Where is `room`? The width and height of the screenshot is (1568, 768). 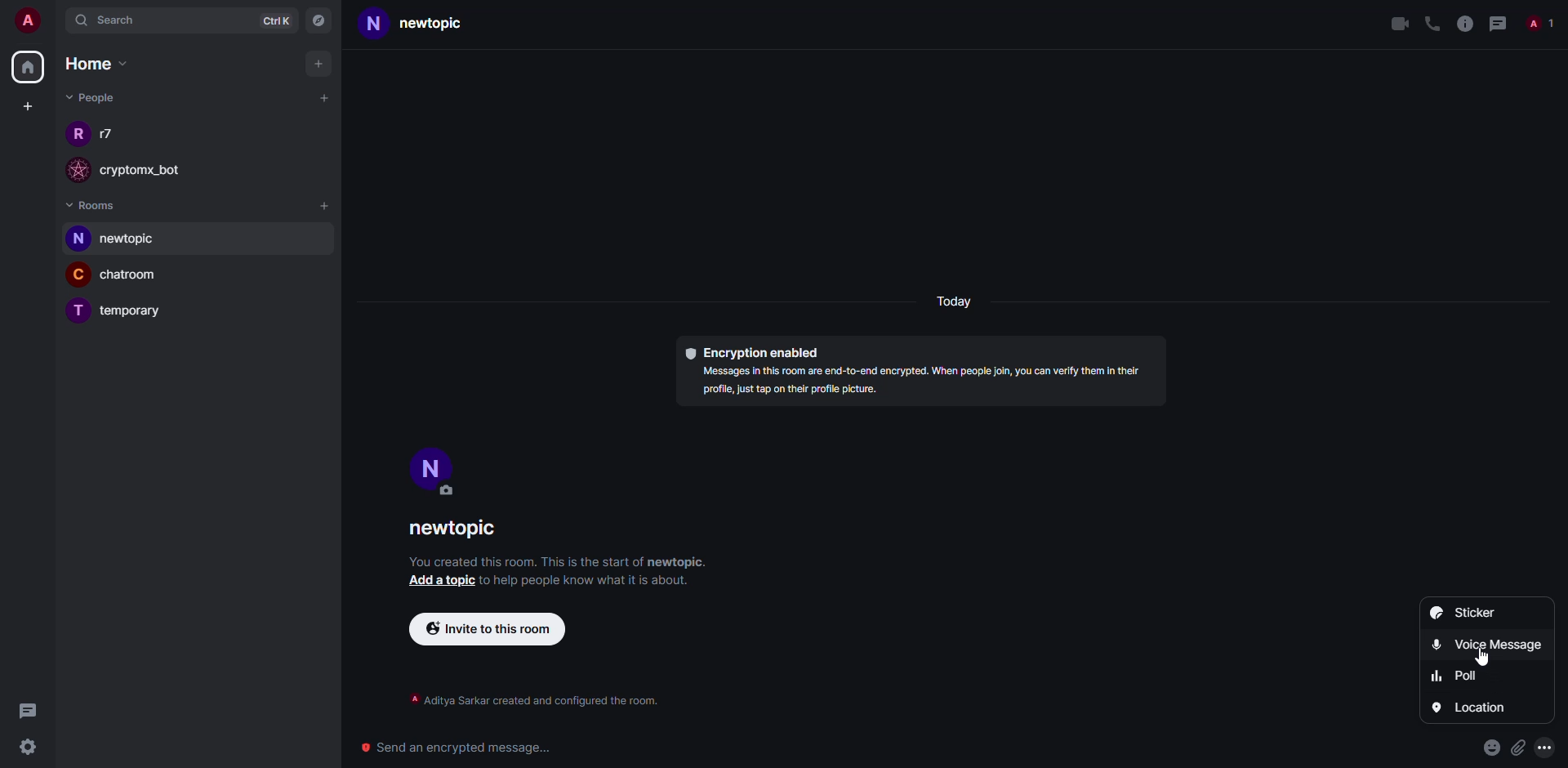
room is located at coordinates (454, 530).